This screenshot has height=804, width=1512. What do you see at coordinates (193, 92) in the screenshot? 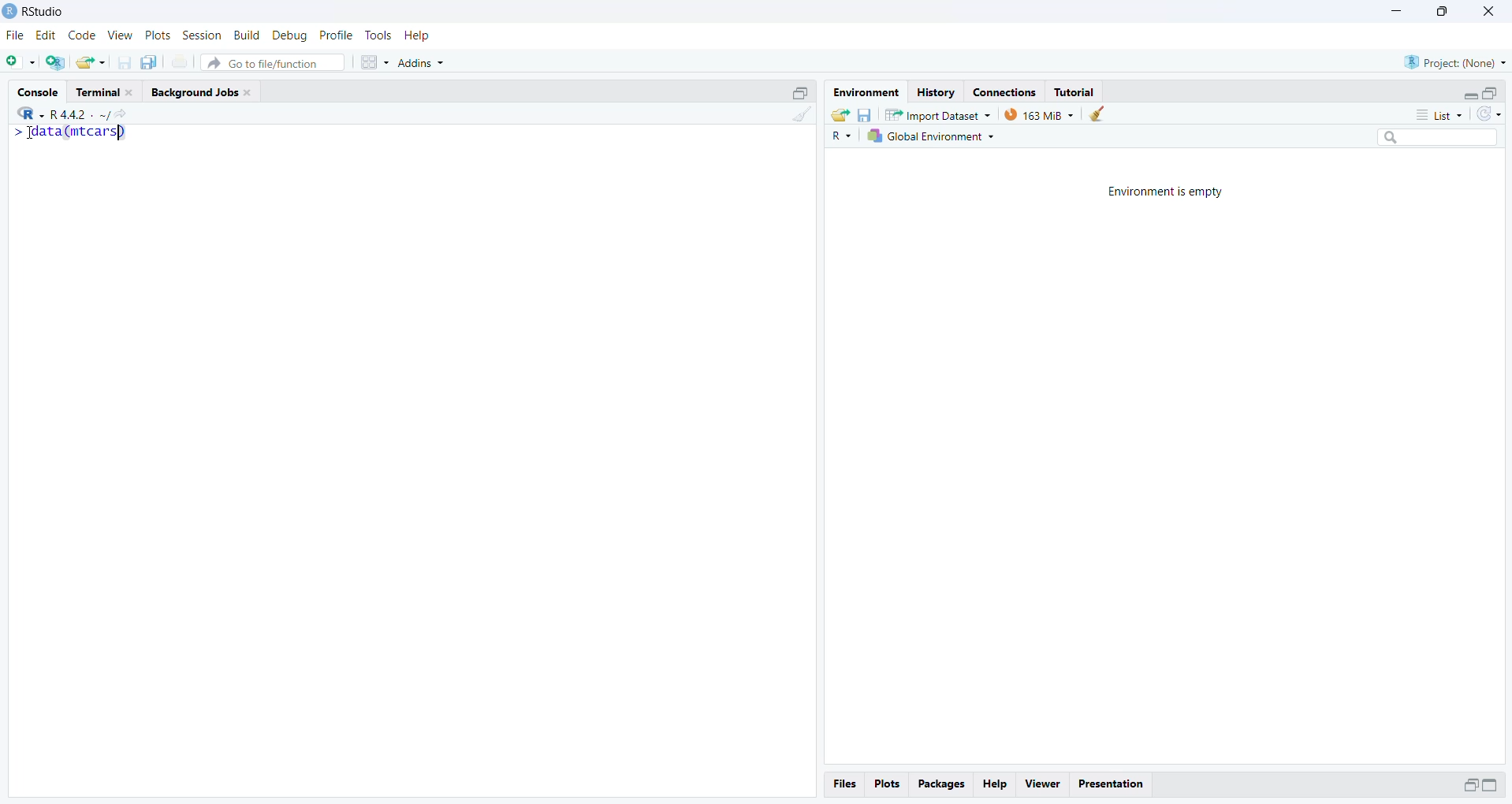
I see `Background Jobs` at bounding box center [193, 92].